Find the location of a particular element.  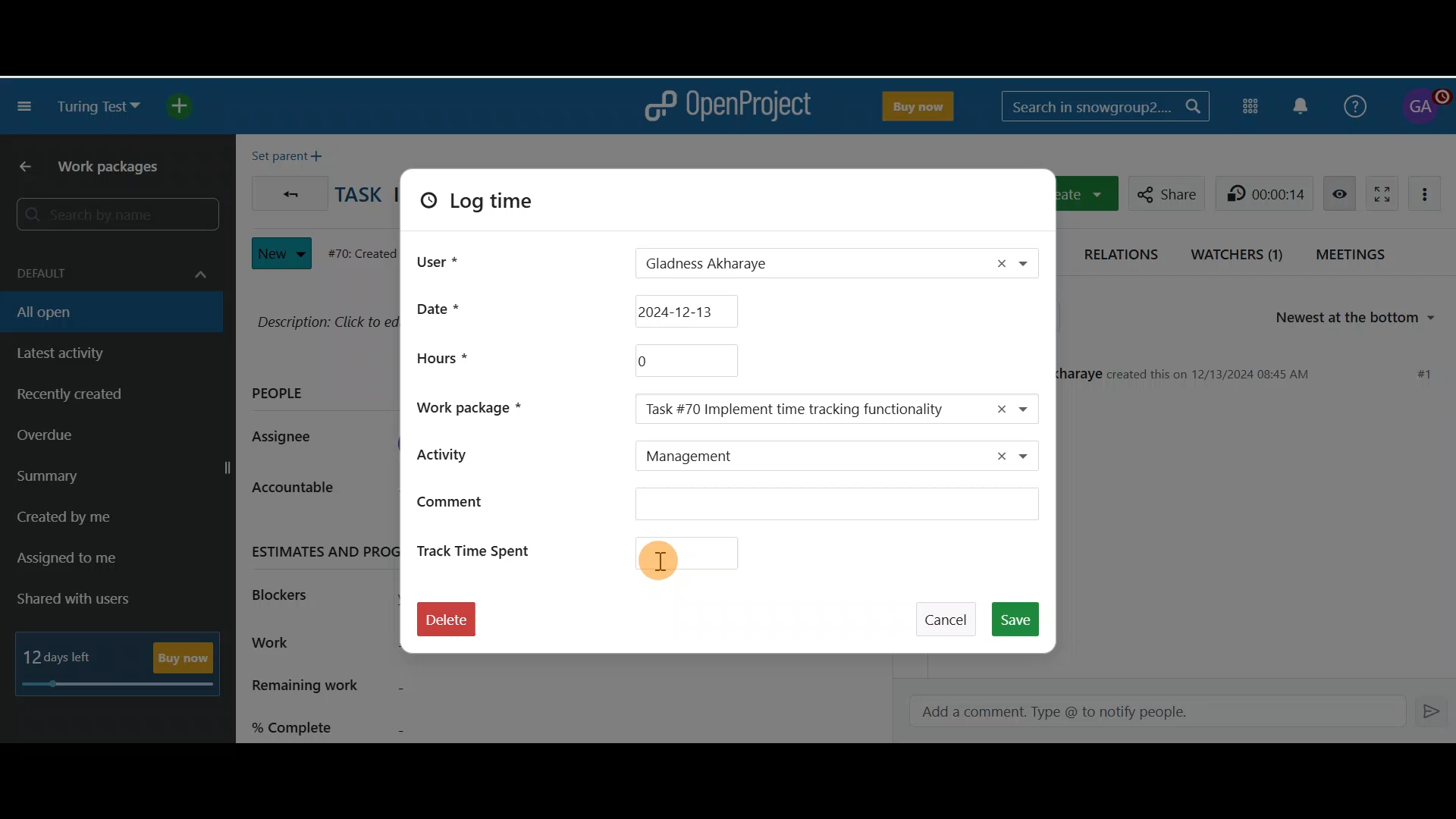

Gladness Akharaye is located at coordinates (788, 265).